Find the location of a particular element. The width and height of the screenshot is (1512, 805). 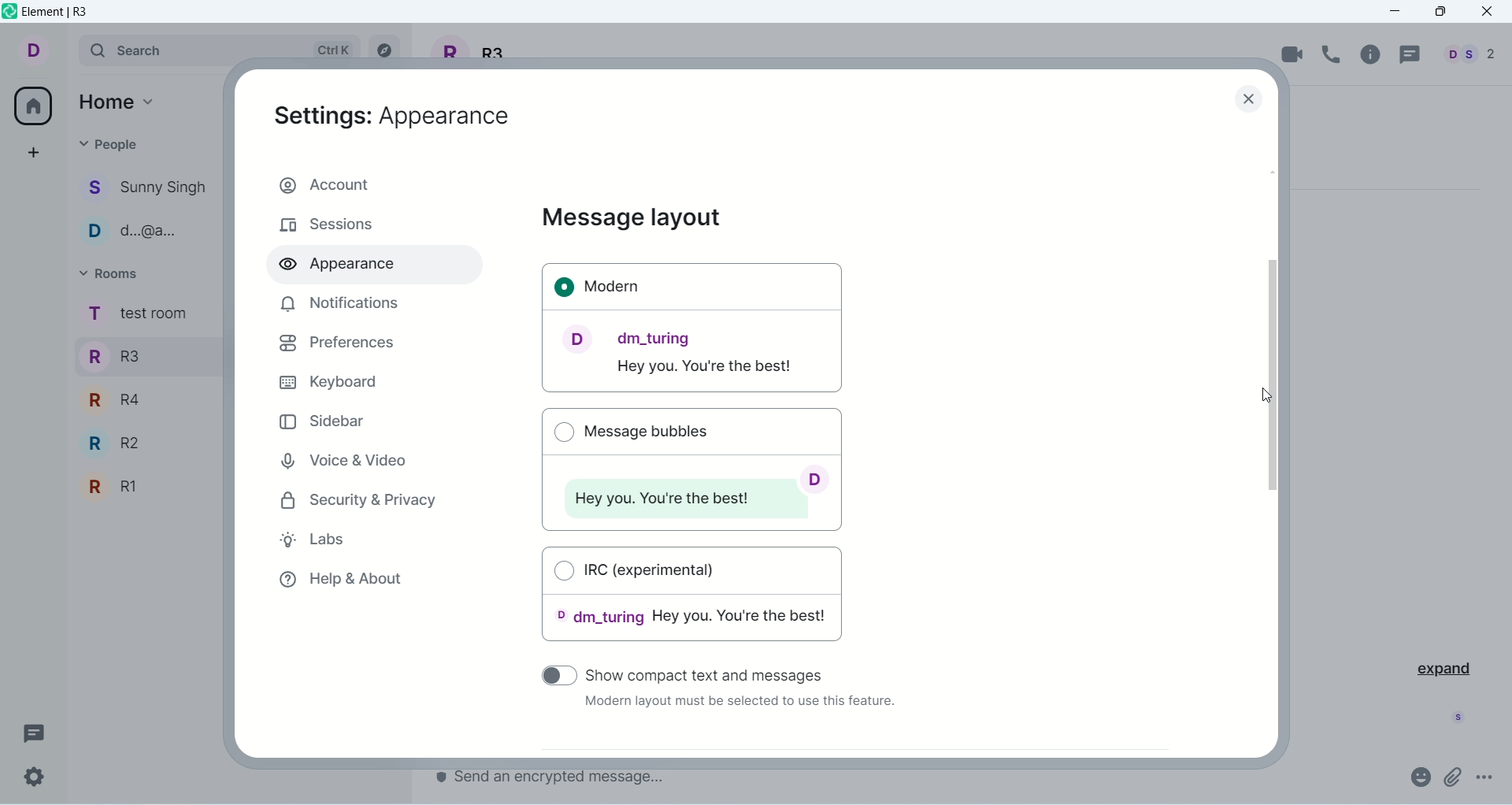

people is located at coordinates (112, 143).